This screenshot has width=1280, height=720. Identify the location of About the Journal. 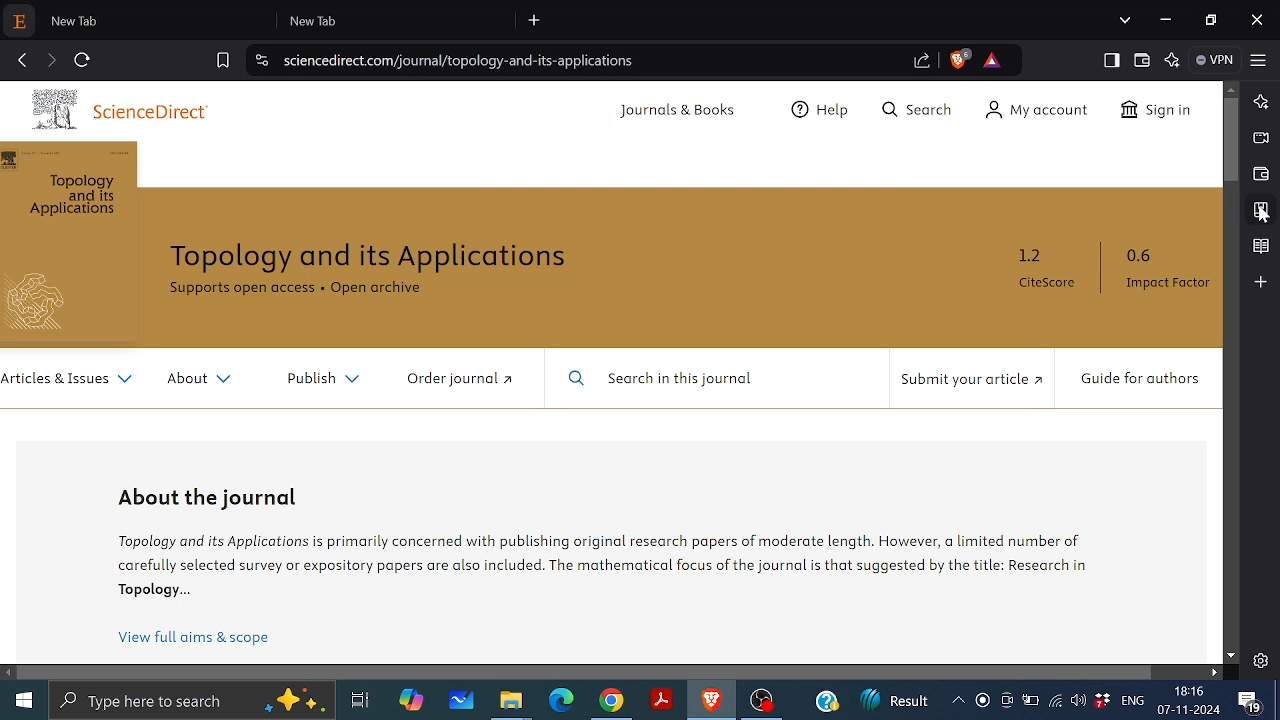
(213, 496).